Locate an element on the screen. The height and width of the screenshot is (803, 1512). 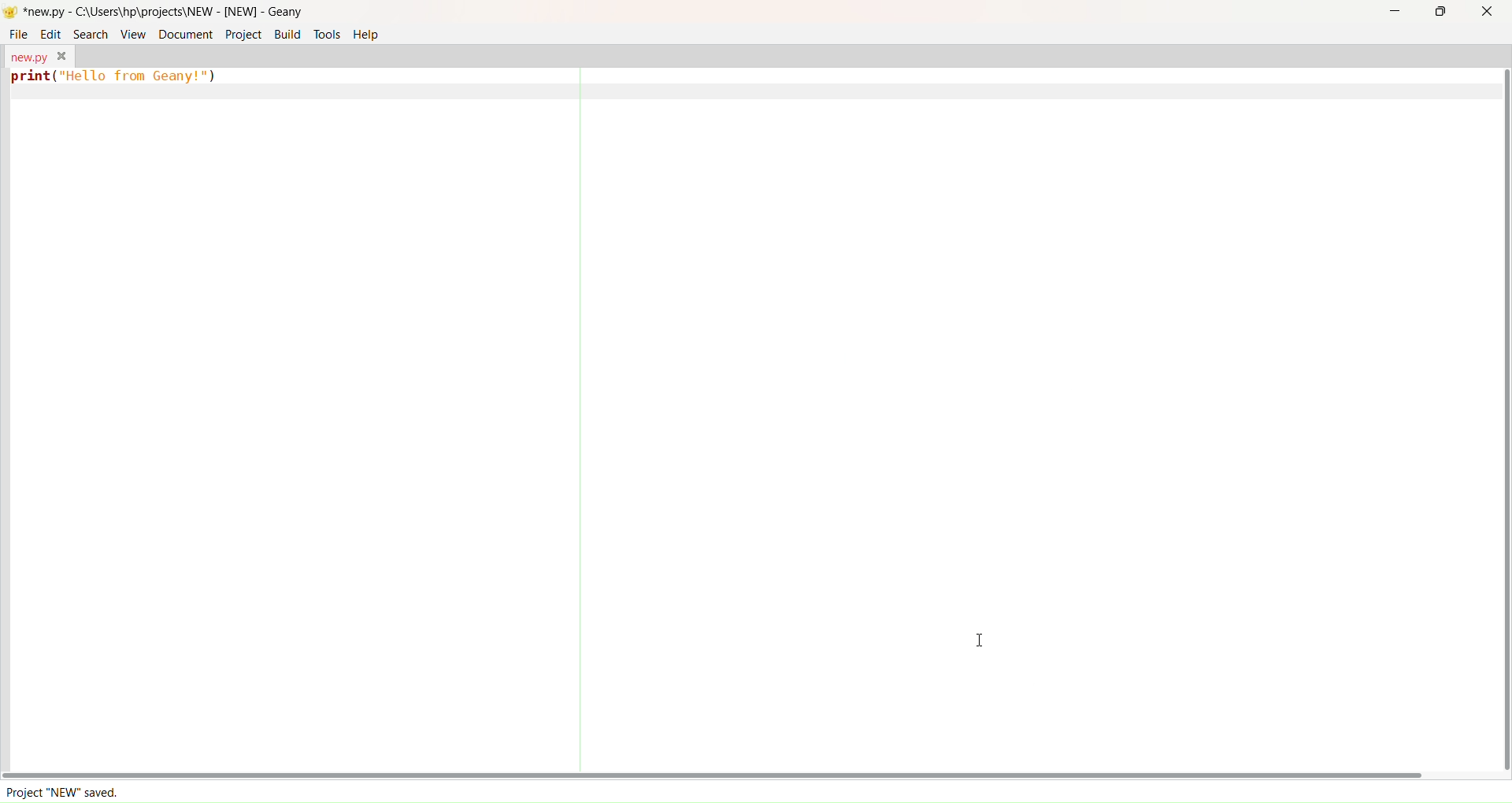
cursor is located at coordinates (981, 636).